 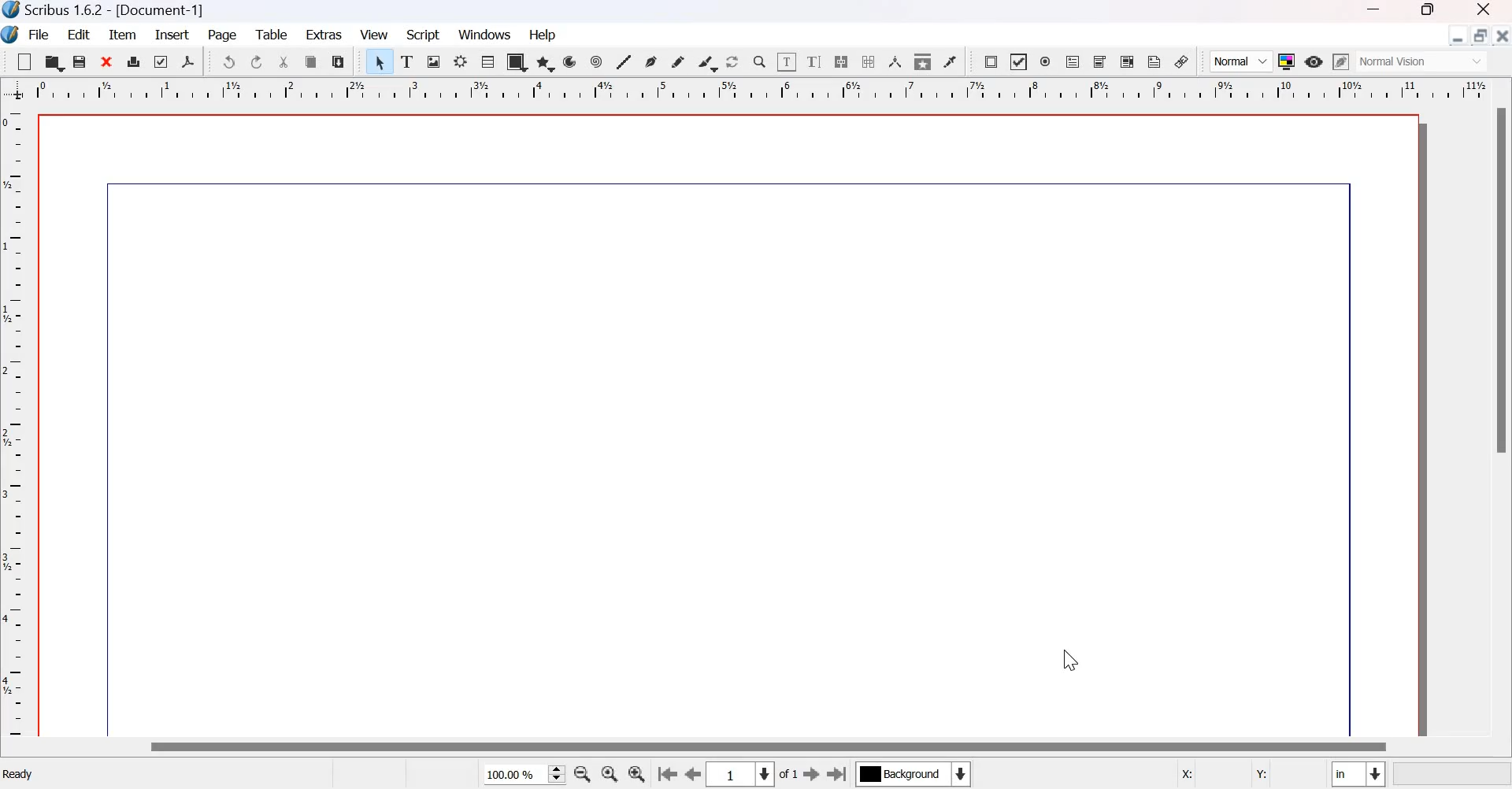 I want to click on Save as PDF, so click(x=187, y=62).